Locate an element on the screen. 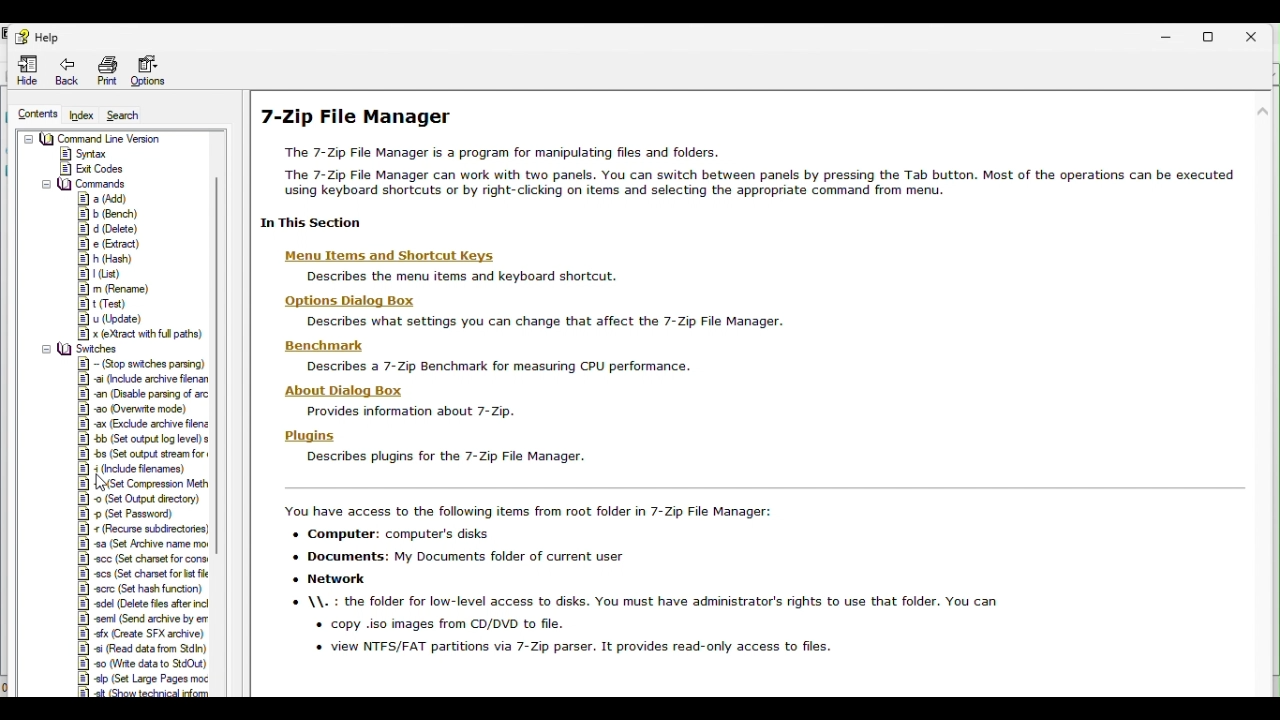 The width and height of the screenshot is (1280, 720). description text is located at coordinates (469, 275).